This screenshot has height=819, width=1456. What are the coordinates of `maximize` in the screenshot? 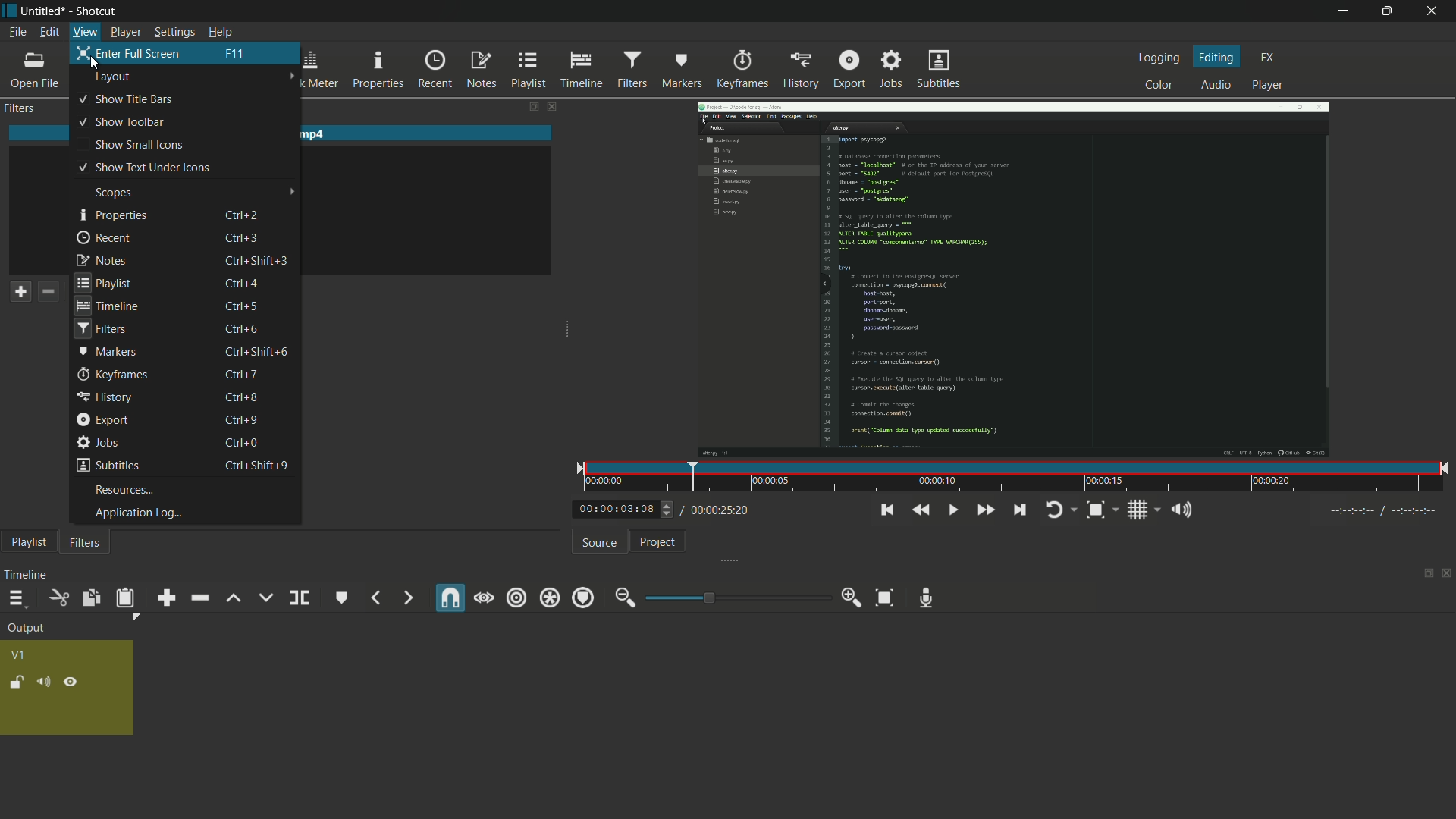 It's located at (1389, 11).